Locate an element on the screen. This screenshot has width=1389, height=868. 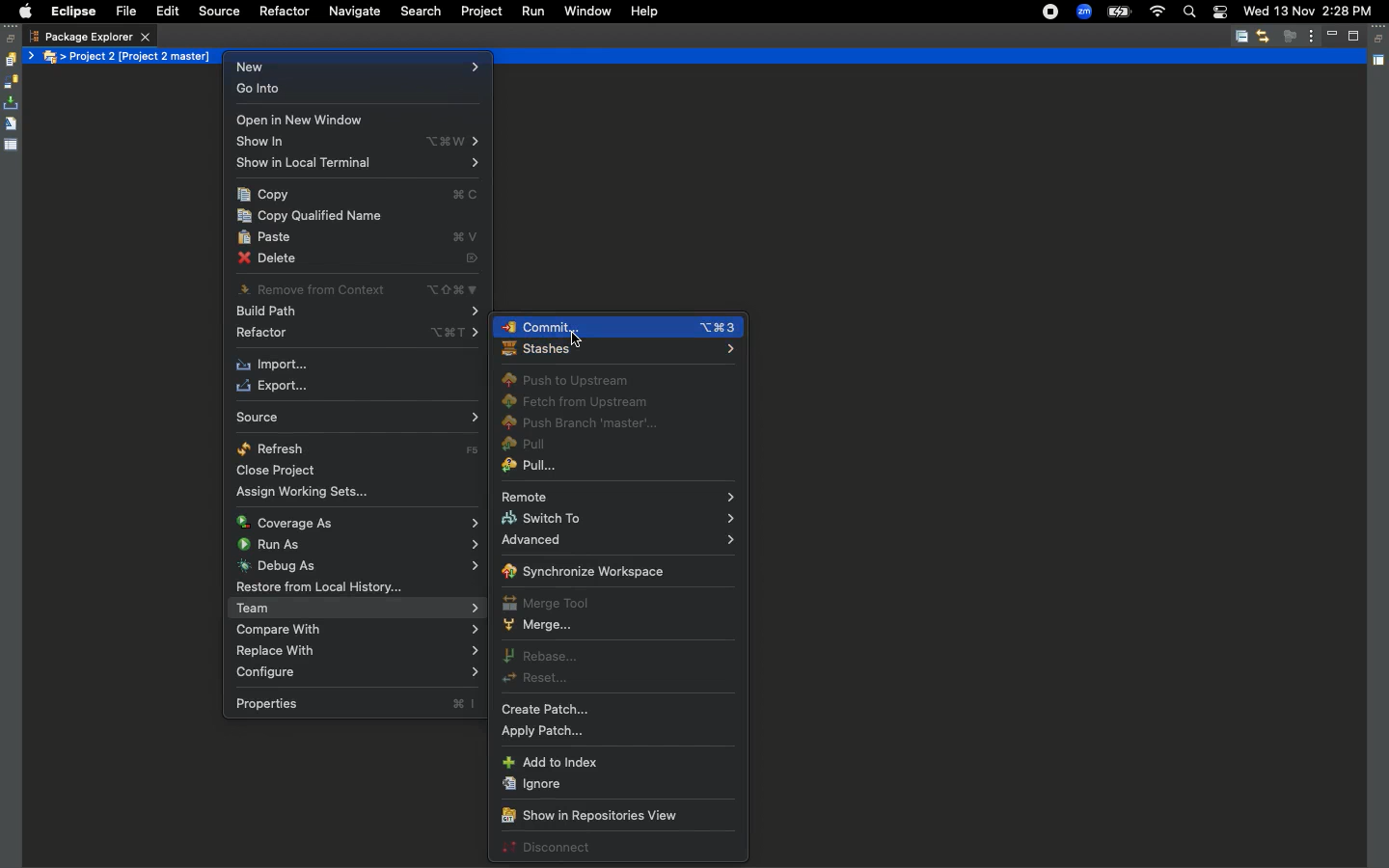
Switch to is located at coordinates (616, 519).